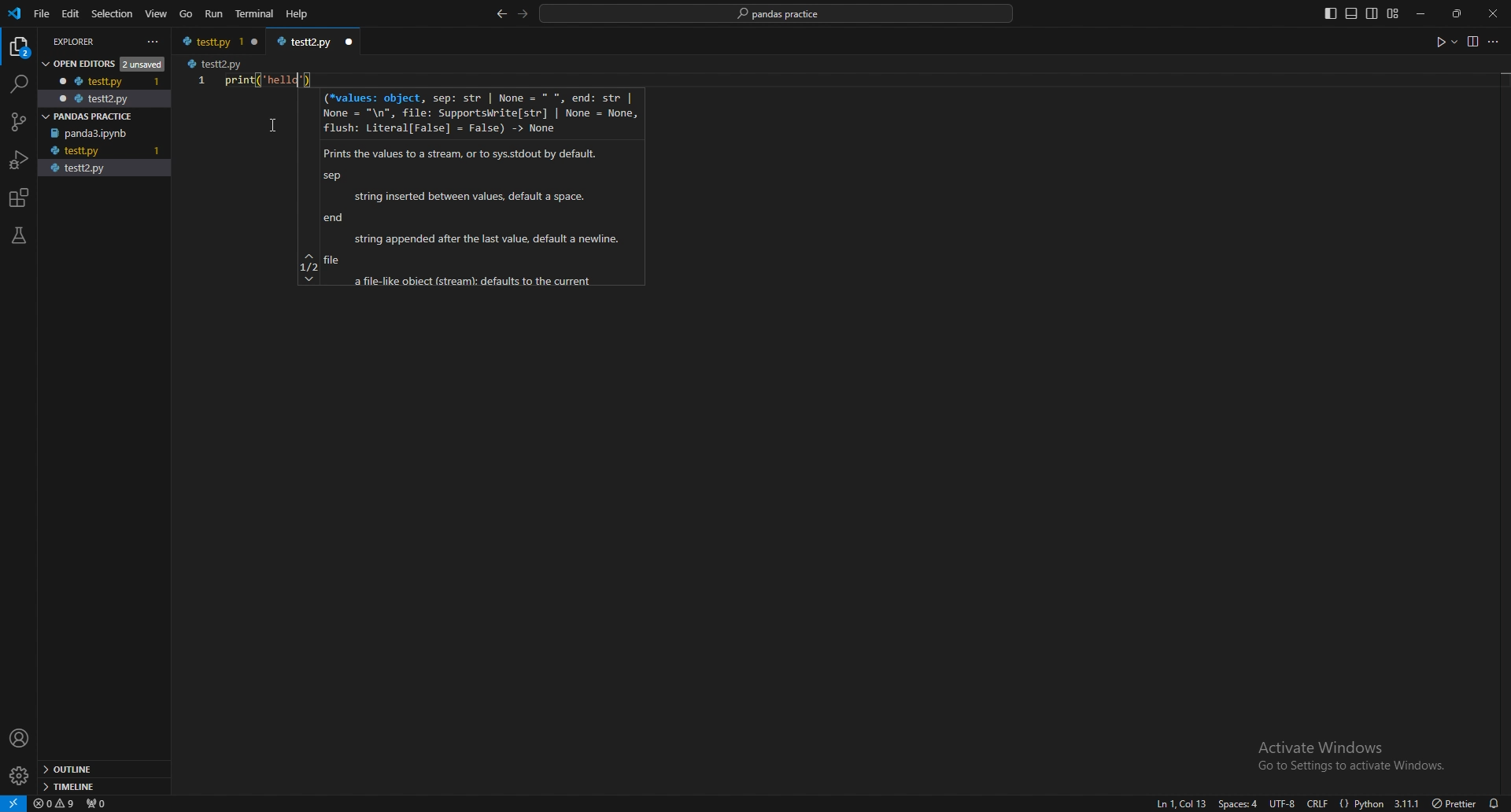 This screenshot has height=812, width=1511. What do you see at coordinates (216, 14) in the screenshot?
I see `run` at bounding box center [216, 14].